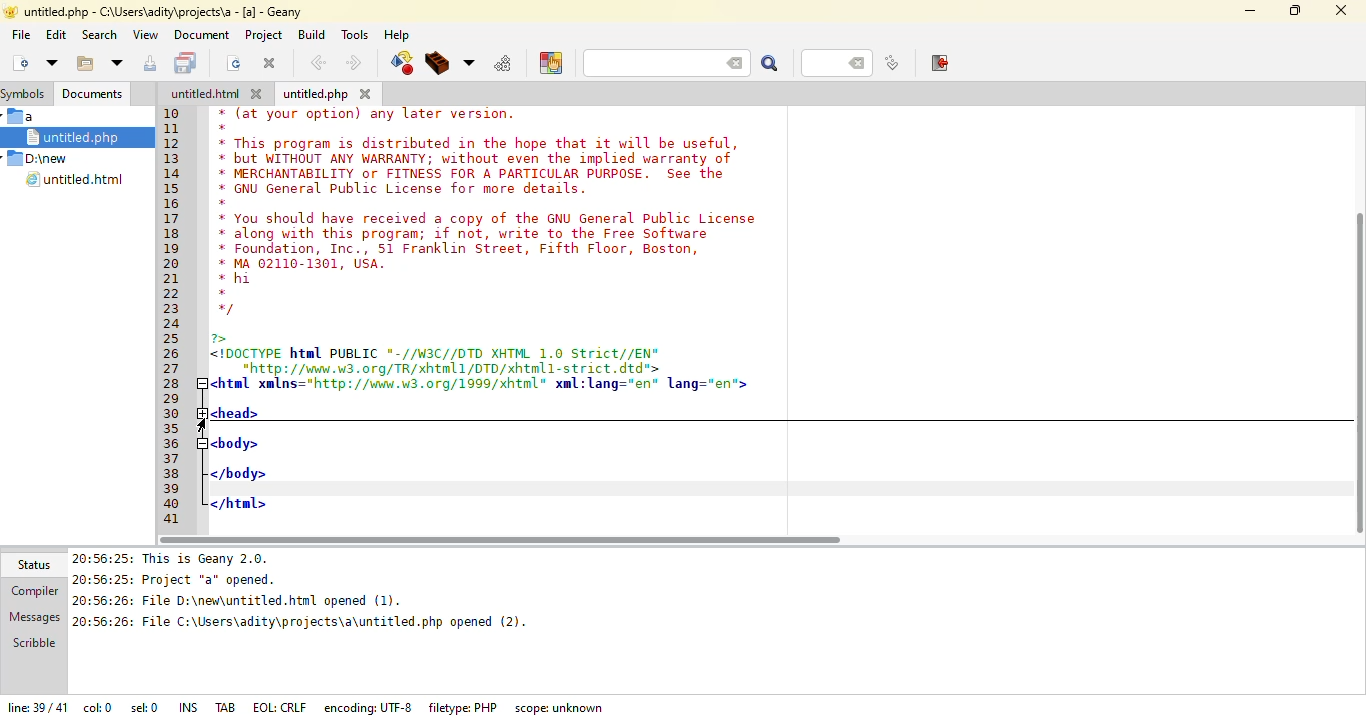 The width and height of the screenshot is (1366, 720). I want to click on sel: 0, so click(145, 708).